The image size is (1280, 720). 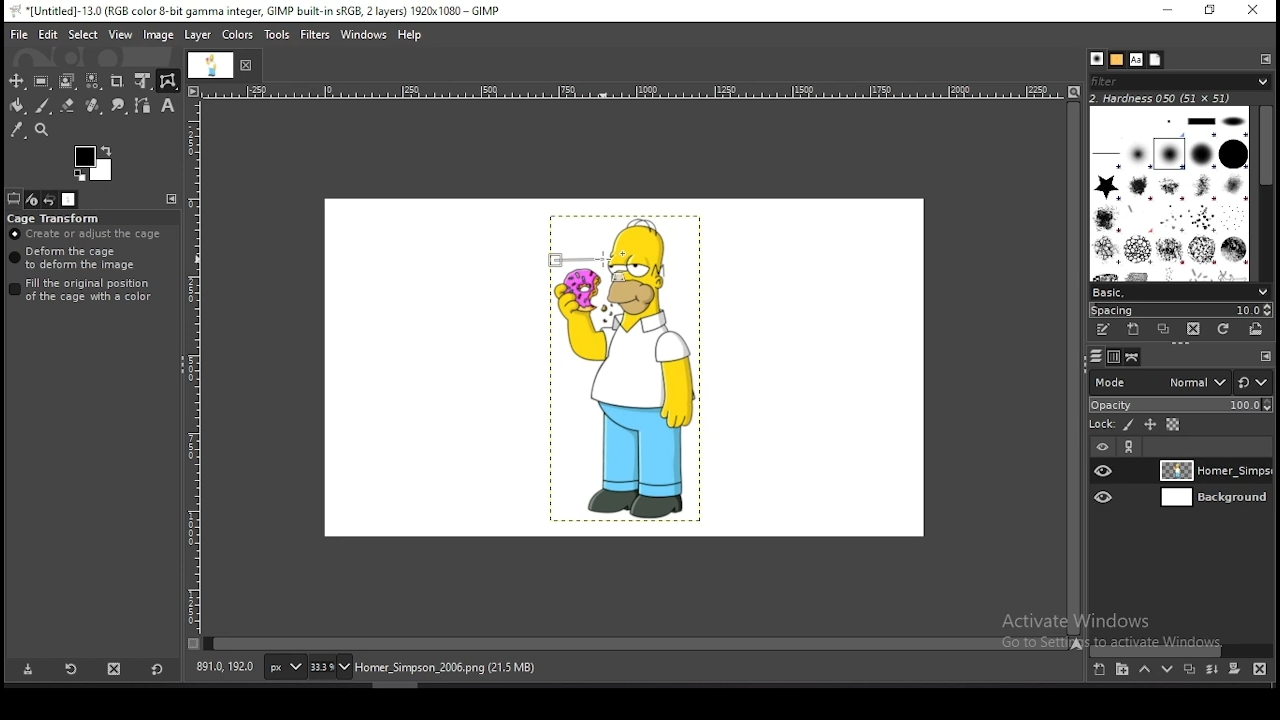 What do you see at coordinates (1264, 190) in the screenshot?
I see `scroll bar` at bounding box center [1264, 190].